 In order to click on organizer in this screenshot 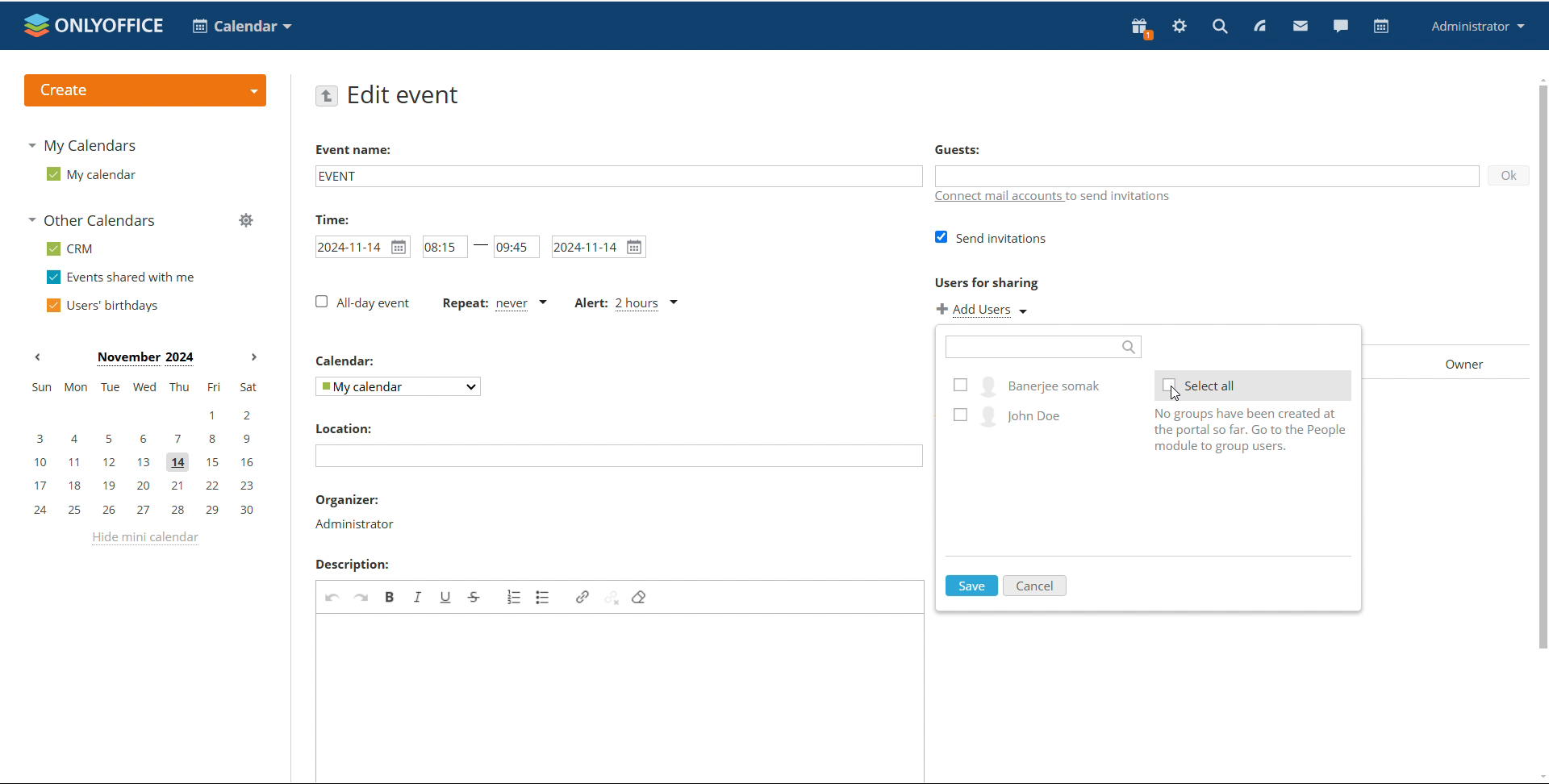, I will do `click(357, 525)`.